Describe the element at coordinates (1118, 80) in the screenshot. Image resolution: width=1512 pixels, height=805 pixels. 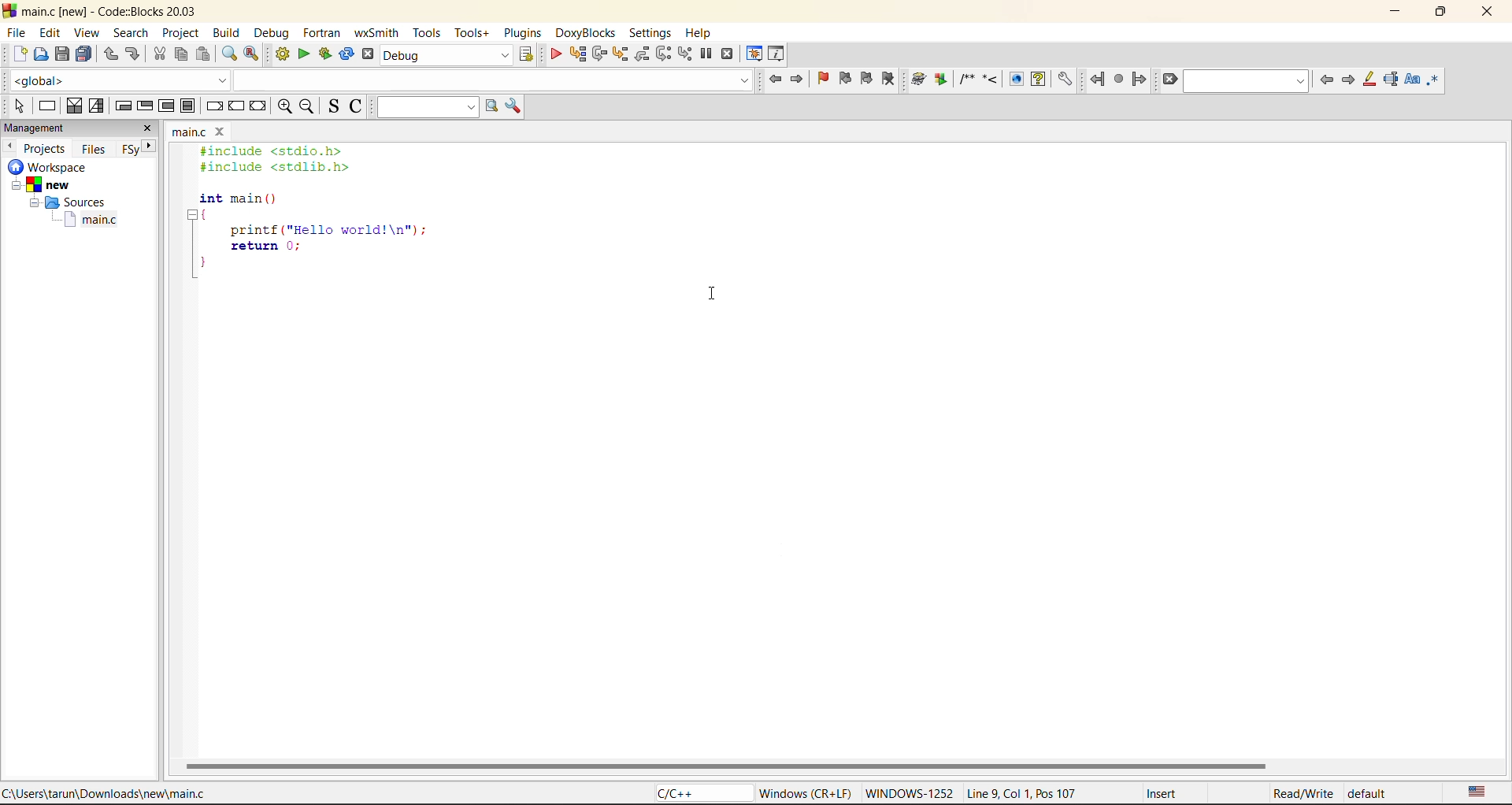
I see `last jump` at that location.